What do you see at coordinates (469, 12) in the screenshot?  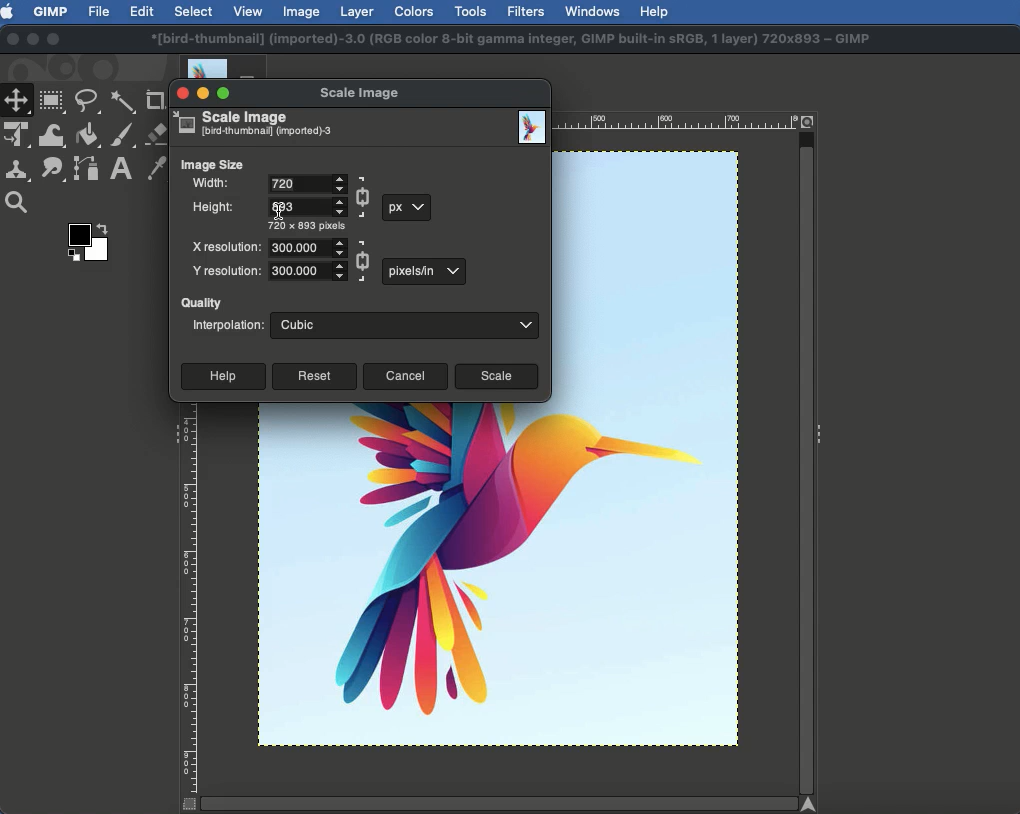 I see `Tools` at bounding box center [469, 12].